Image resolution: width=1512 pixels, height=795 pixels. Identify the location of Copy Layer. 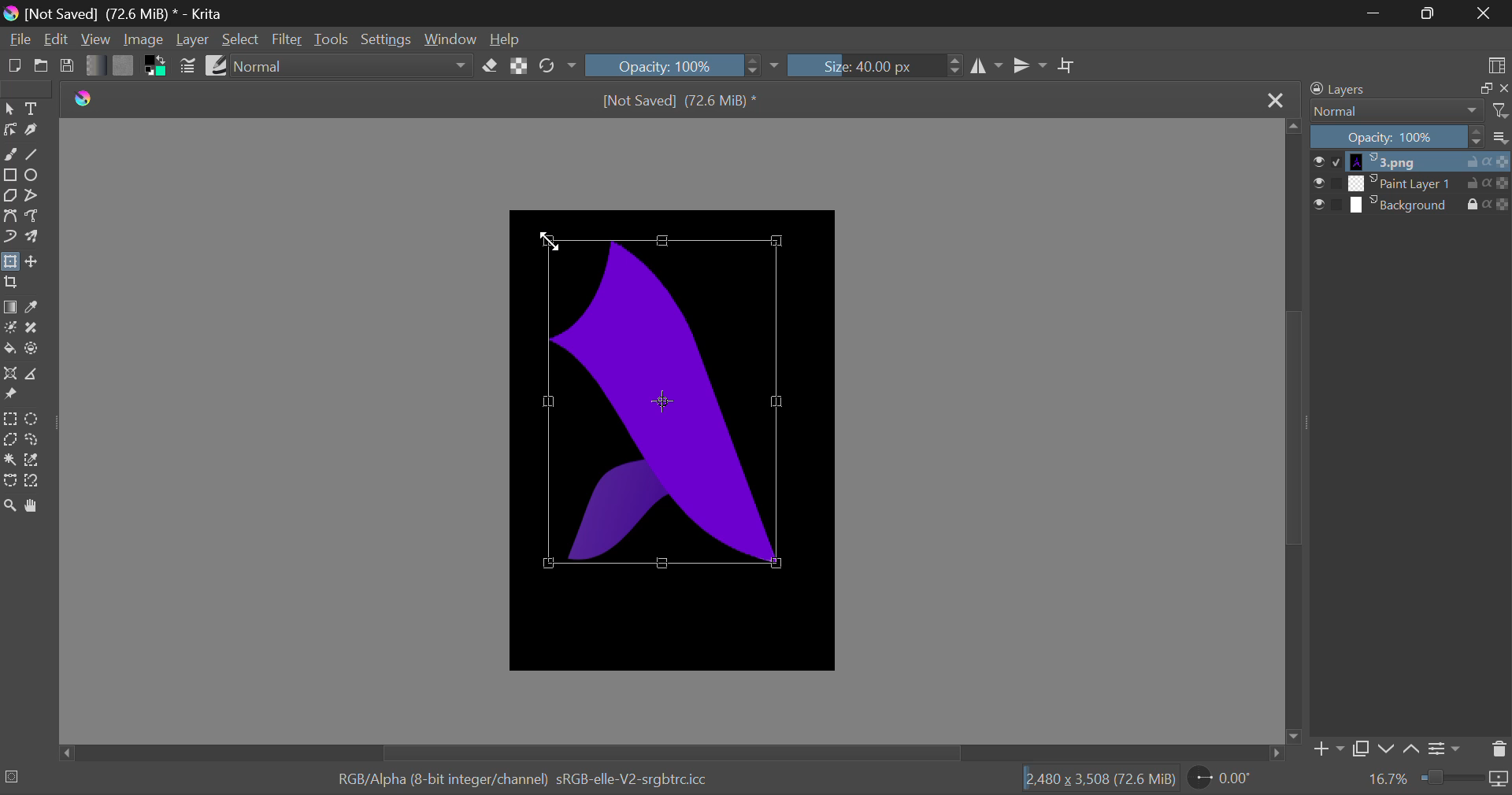
(1362, 750).